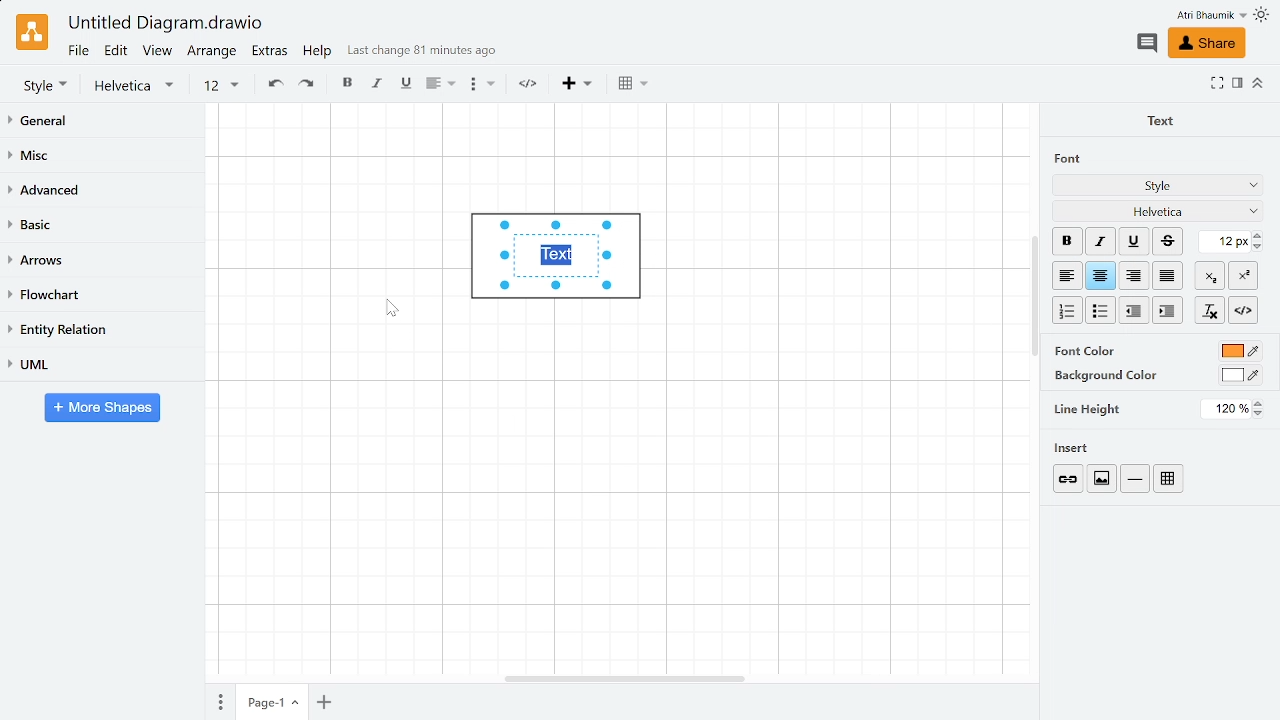 This screenshot has height=720, width=1280. I want to click on Share, so click(1205, 44).